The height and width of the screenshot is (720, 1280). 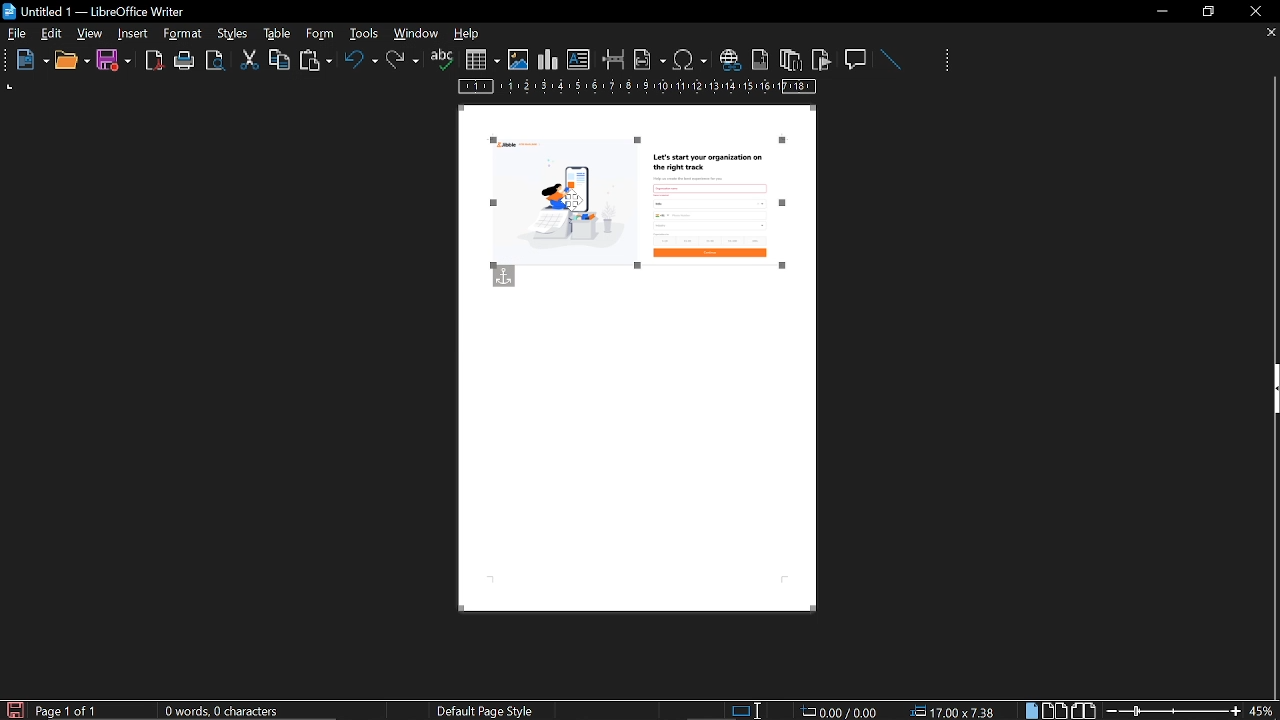 I want to click on current page, so click(x=67, y=711).